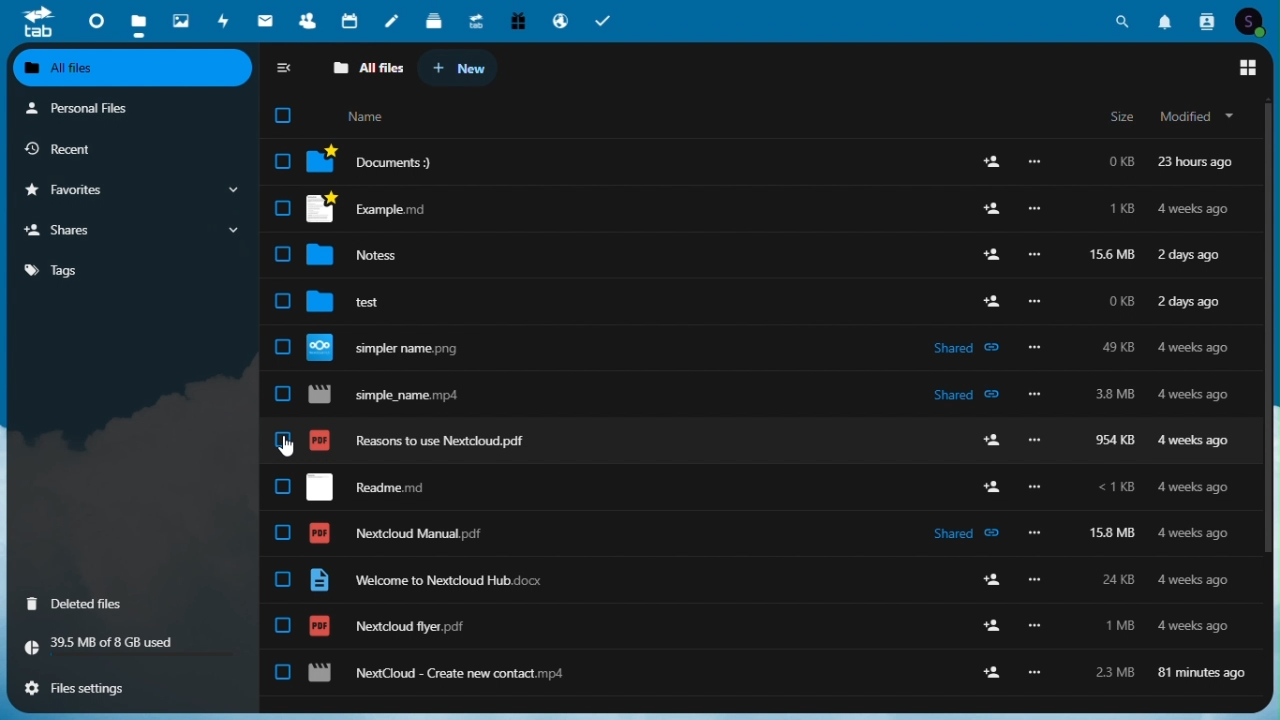 The image size is (1280, 720). I want to click on simpler name.png, so click(399, 347).